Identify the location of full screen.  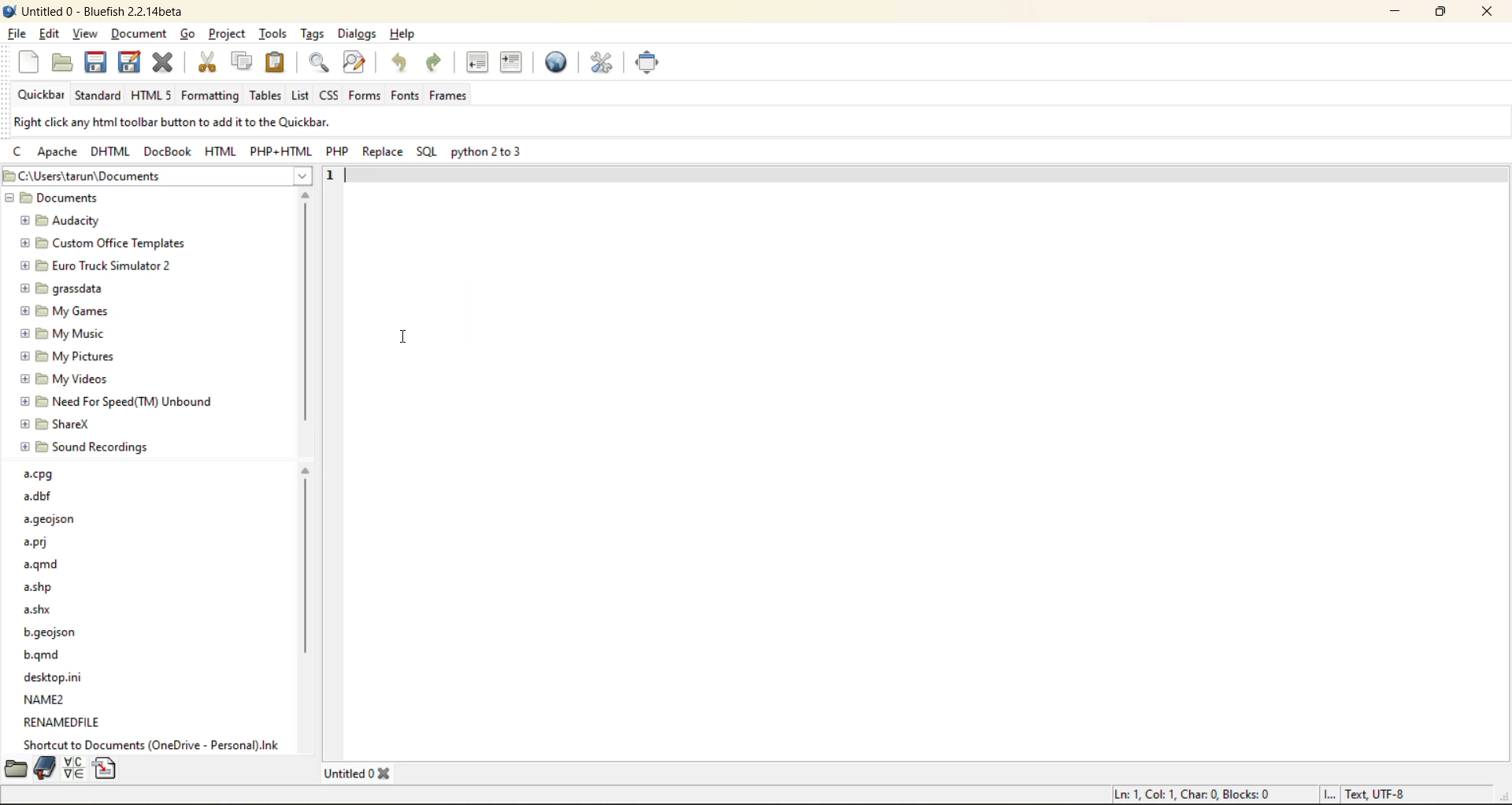
(655, 61).